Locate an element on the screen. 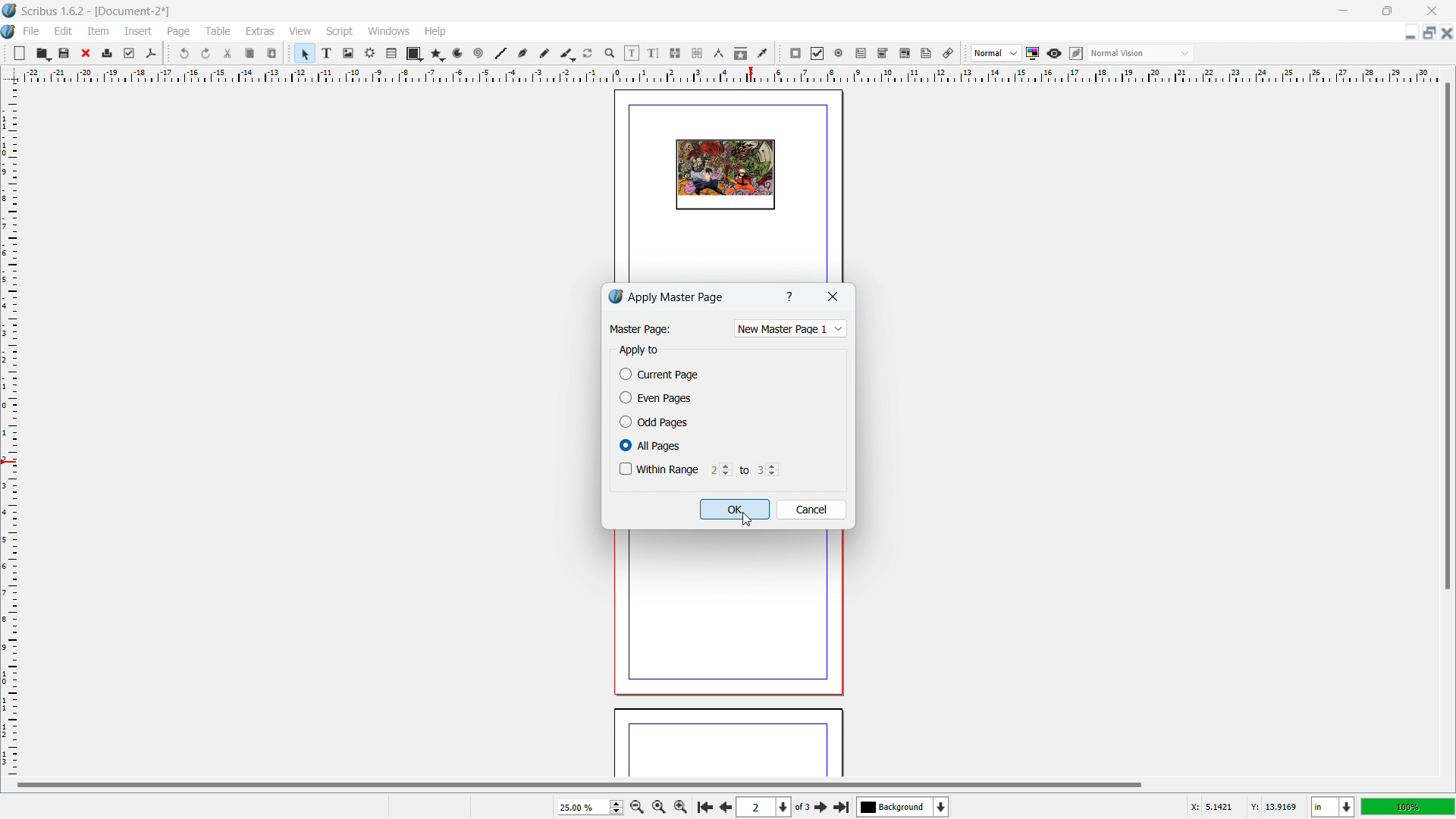 Image resolution: width=1456 pixels, height=819 pixels. line is located at coordinates (500, 54).